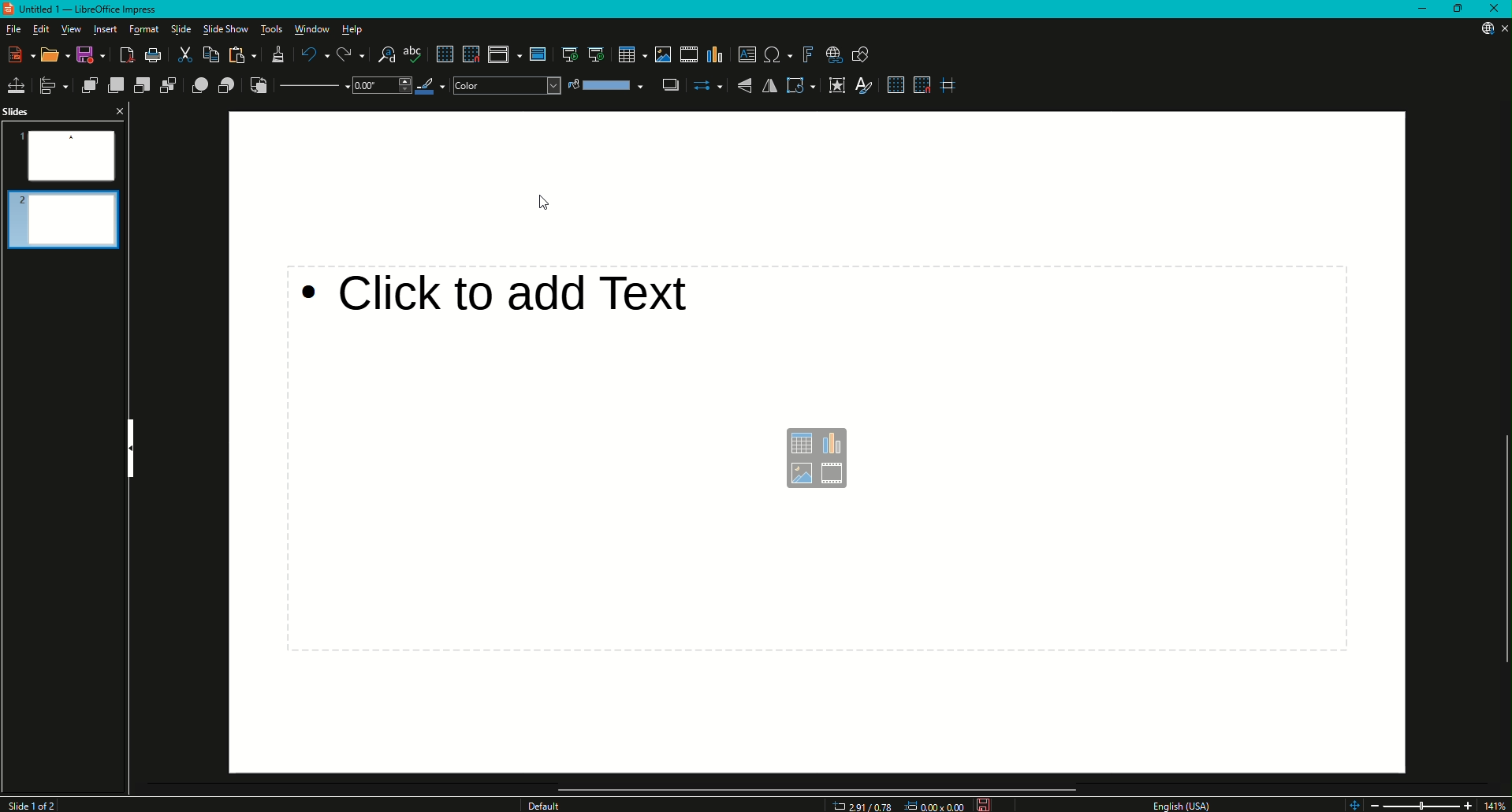 The height and width of the screenshot is (812, 1512). What do you see at coordinates (504, 88) in the screenshot?
I see `Color Drop Down` at bounding box center [504, 88].